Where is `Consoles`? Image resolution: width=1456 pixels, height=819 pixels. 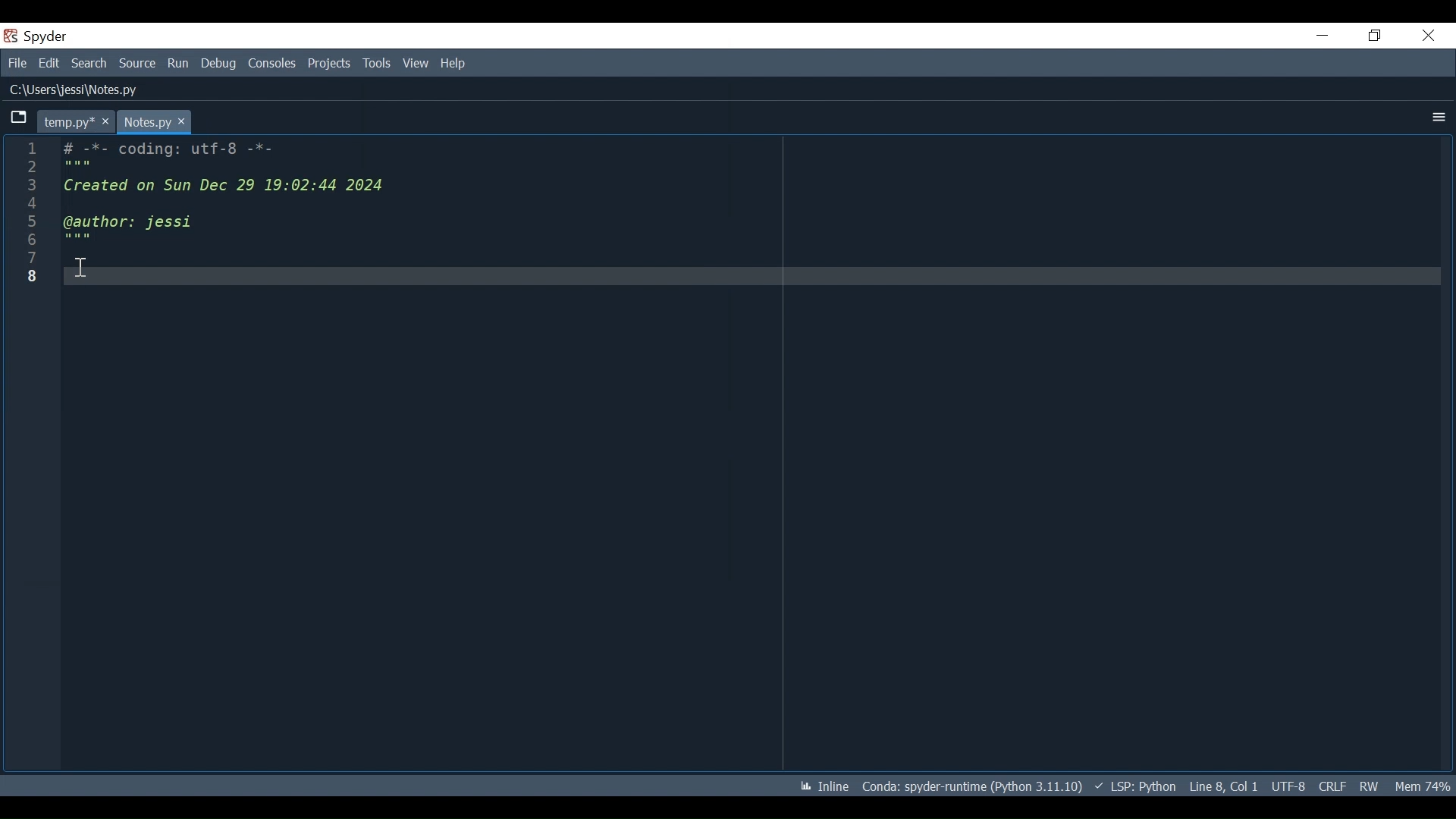 Consoles is located at coordinates (272, 63).